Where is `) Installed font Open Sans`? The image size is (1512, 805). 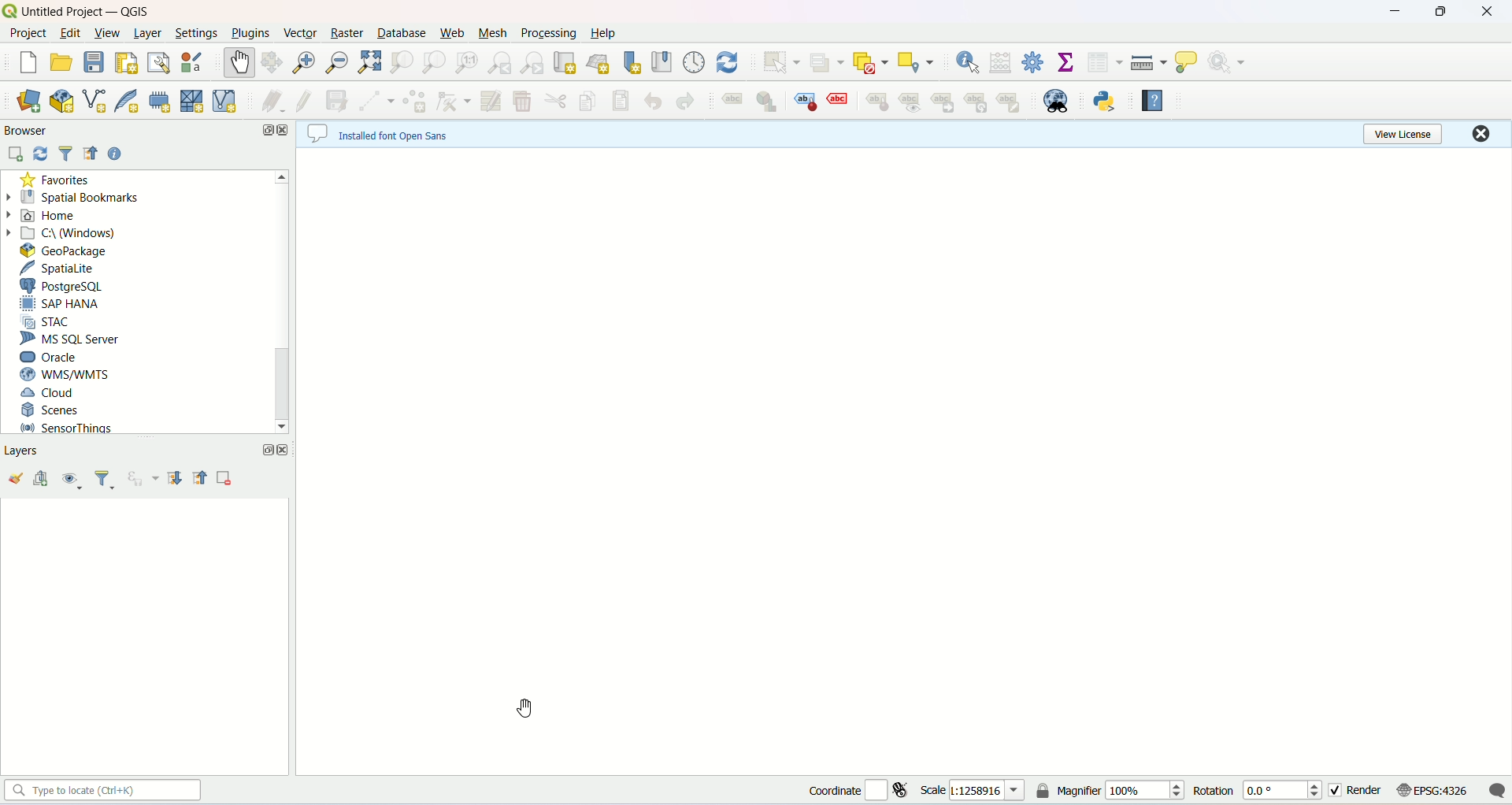
) Installed font Open Sans is located at coordinates (395, 132).